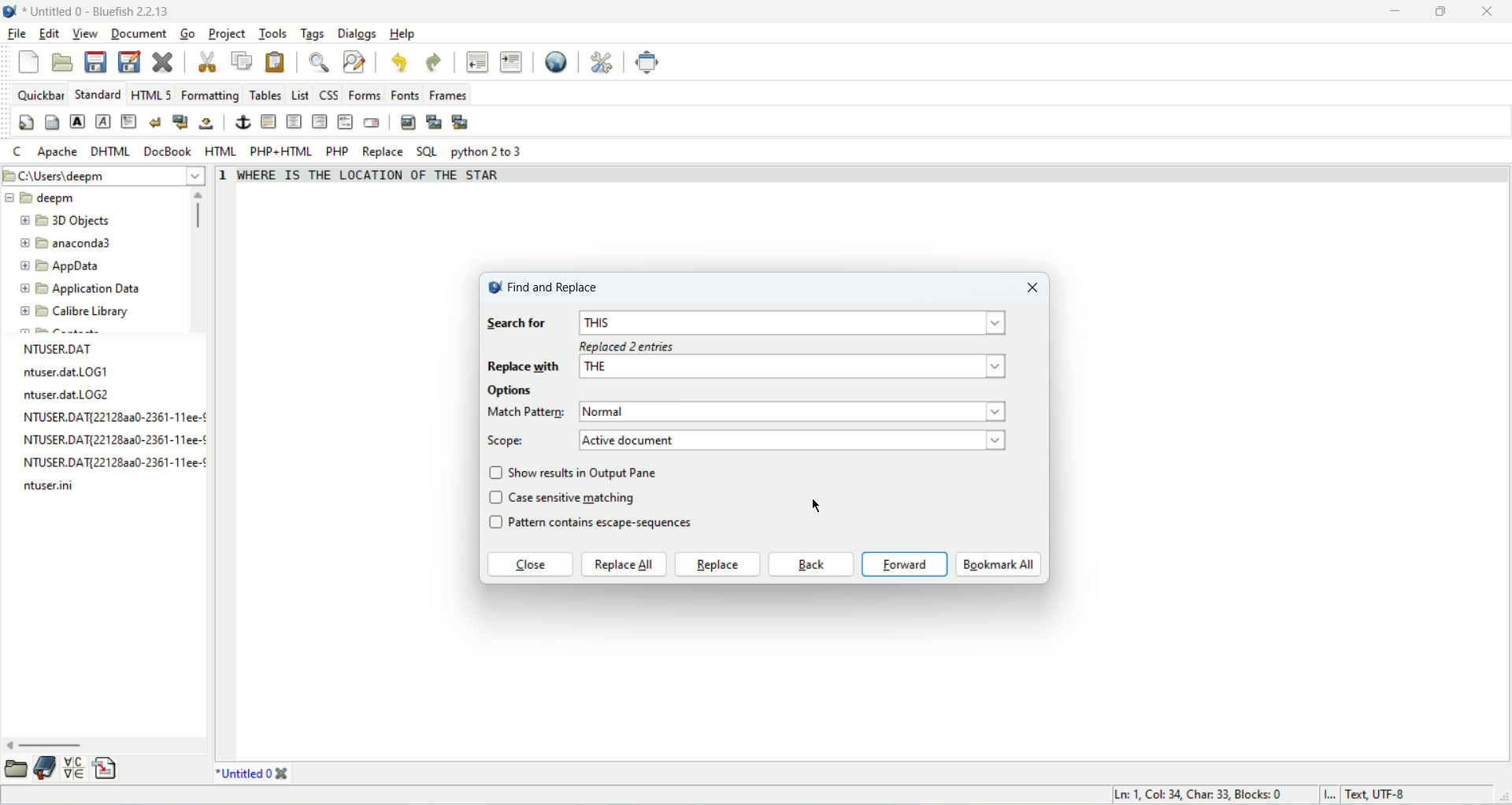 This screenshot has width=1512, height=805. Describe the element at coordinates (426, 152) in the screenshot. I see `SQL` at that location.